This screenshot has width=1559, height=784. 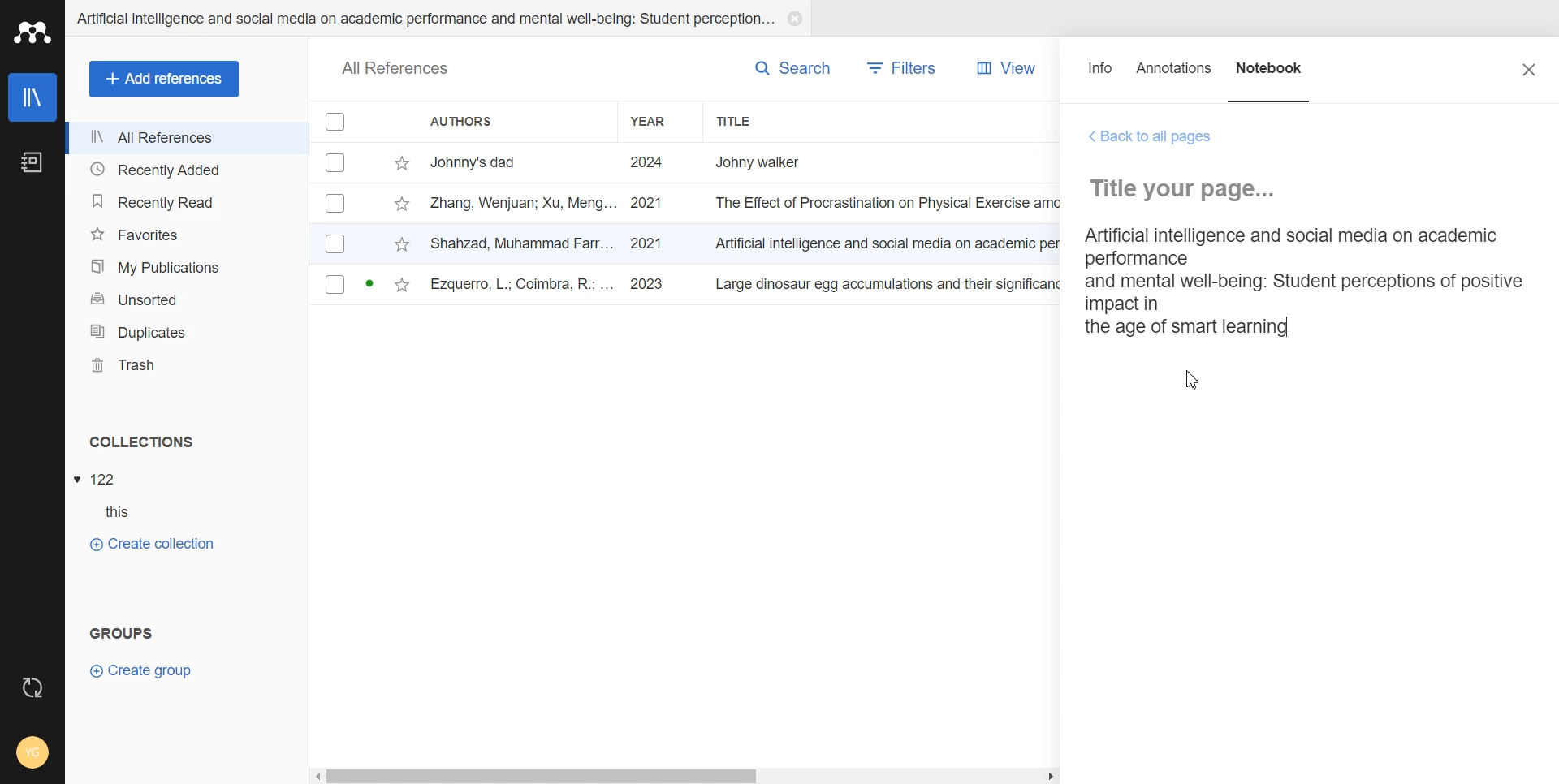 What do you see at coordinates (1193, 379) in the screenshot?
I see `Cursor` at bounding box center [1193, 379].